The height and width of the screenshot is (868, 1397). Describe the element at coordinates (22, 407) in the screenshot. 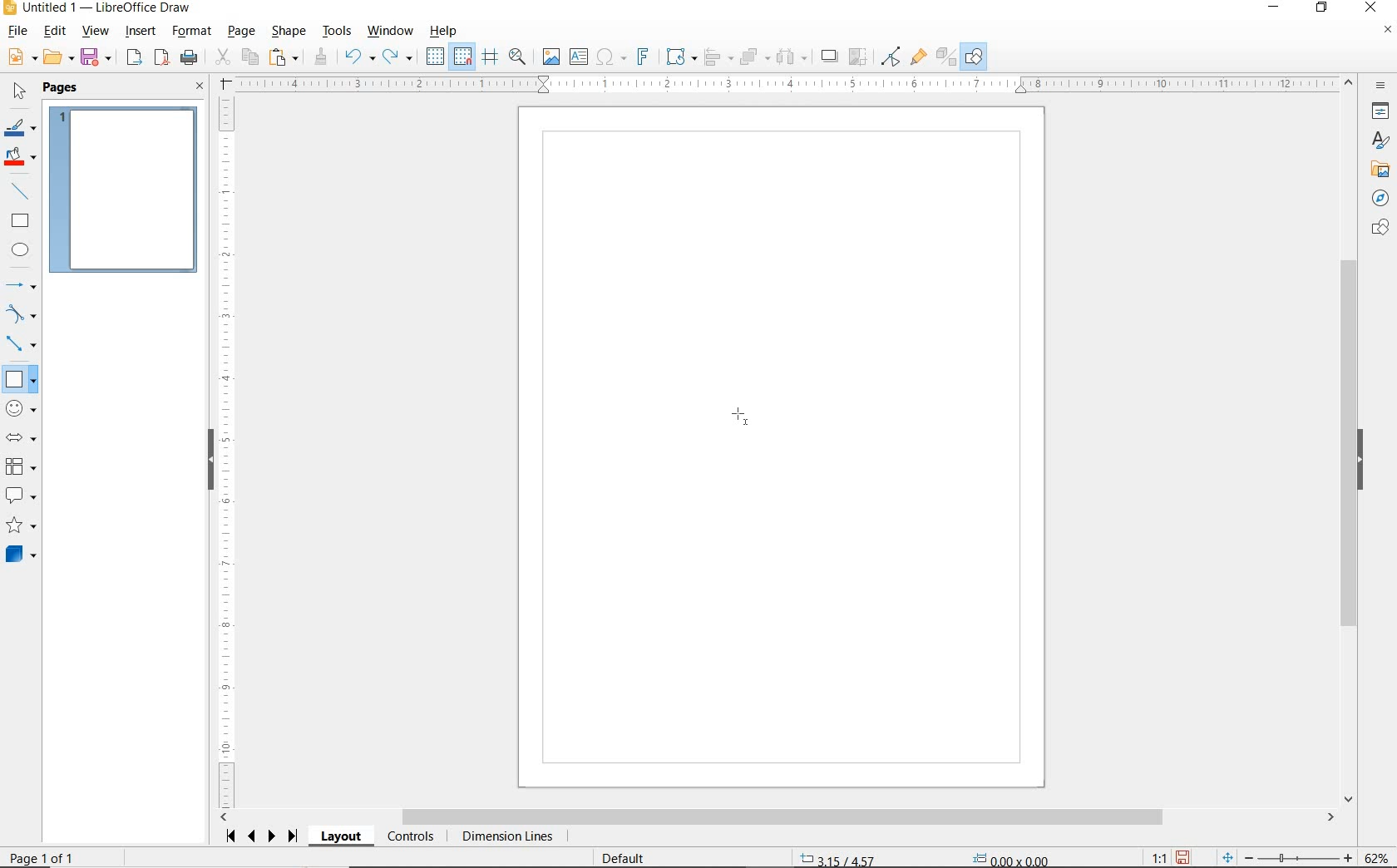

I see `SYMBOL SHAPES` at that location.